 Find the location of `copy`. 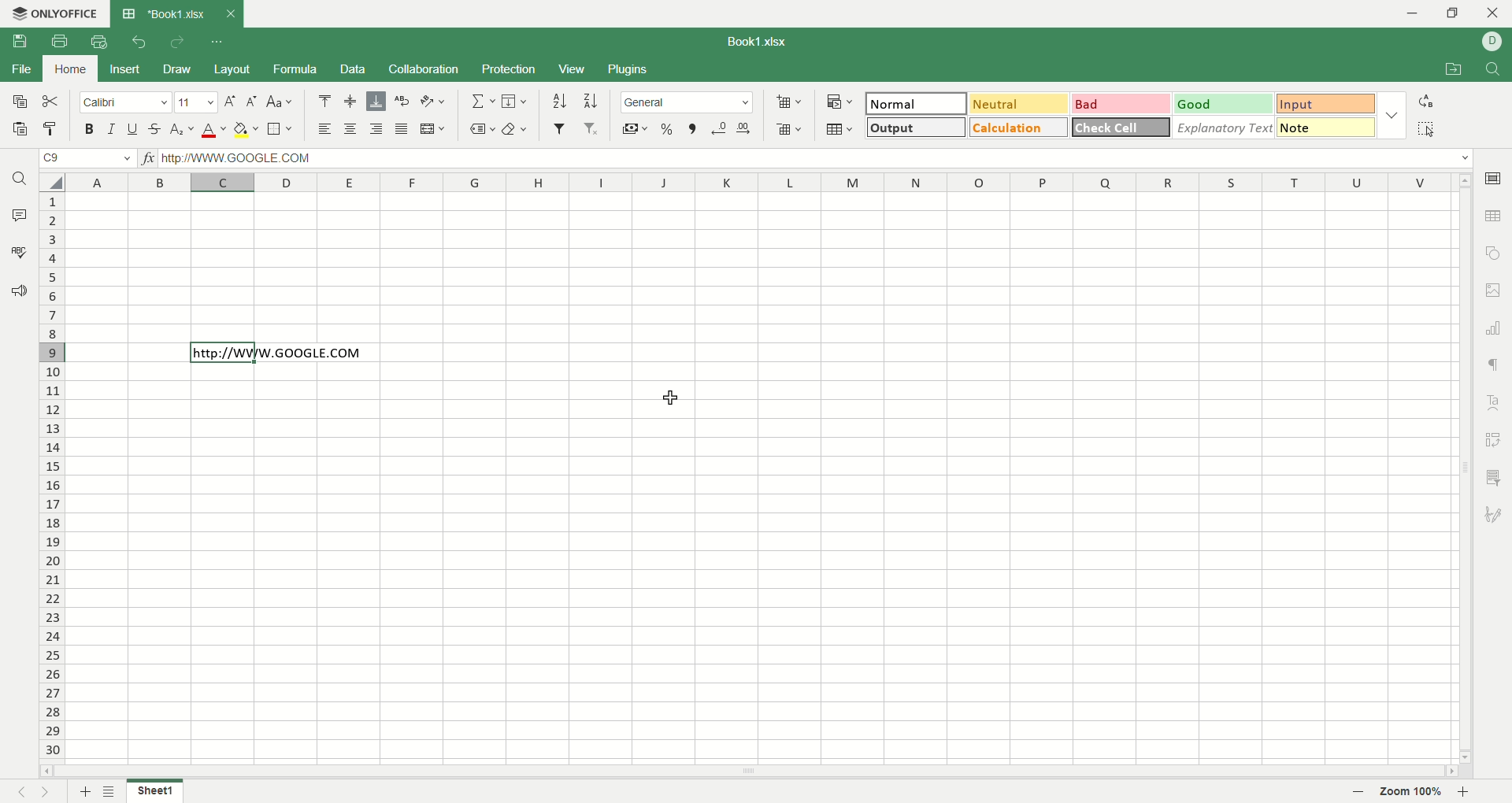

copy is located at coordinates (19, 102).